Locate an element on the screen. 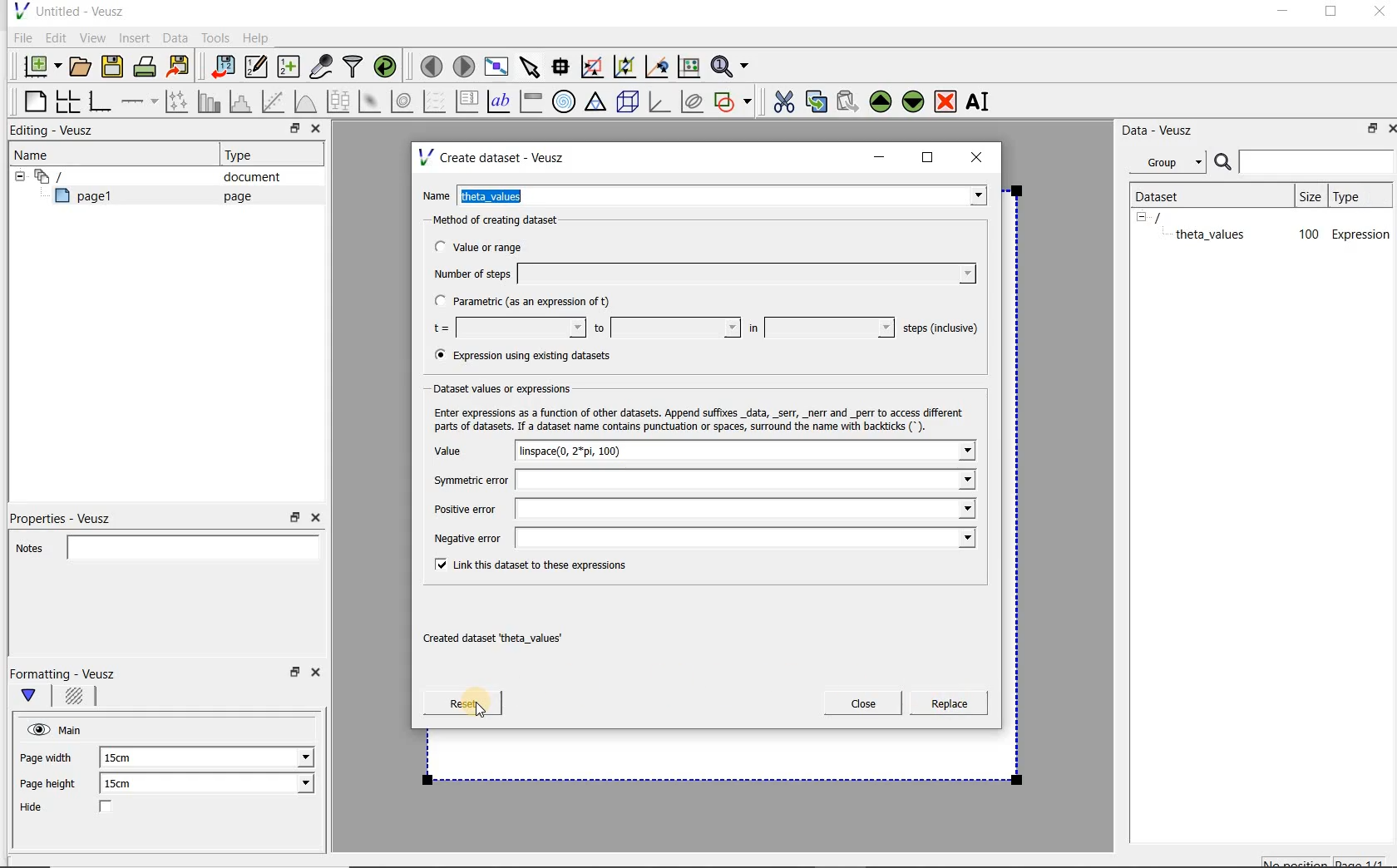  Data - Veusz is located at coordinates (1163, 130).